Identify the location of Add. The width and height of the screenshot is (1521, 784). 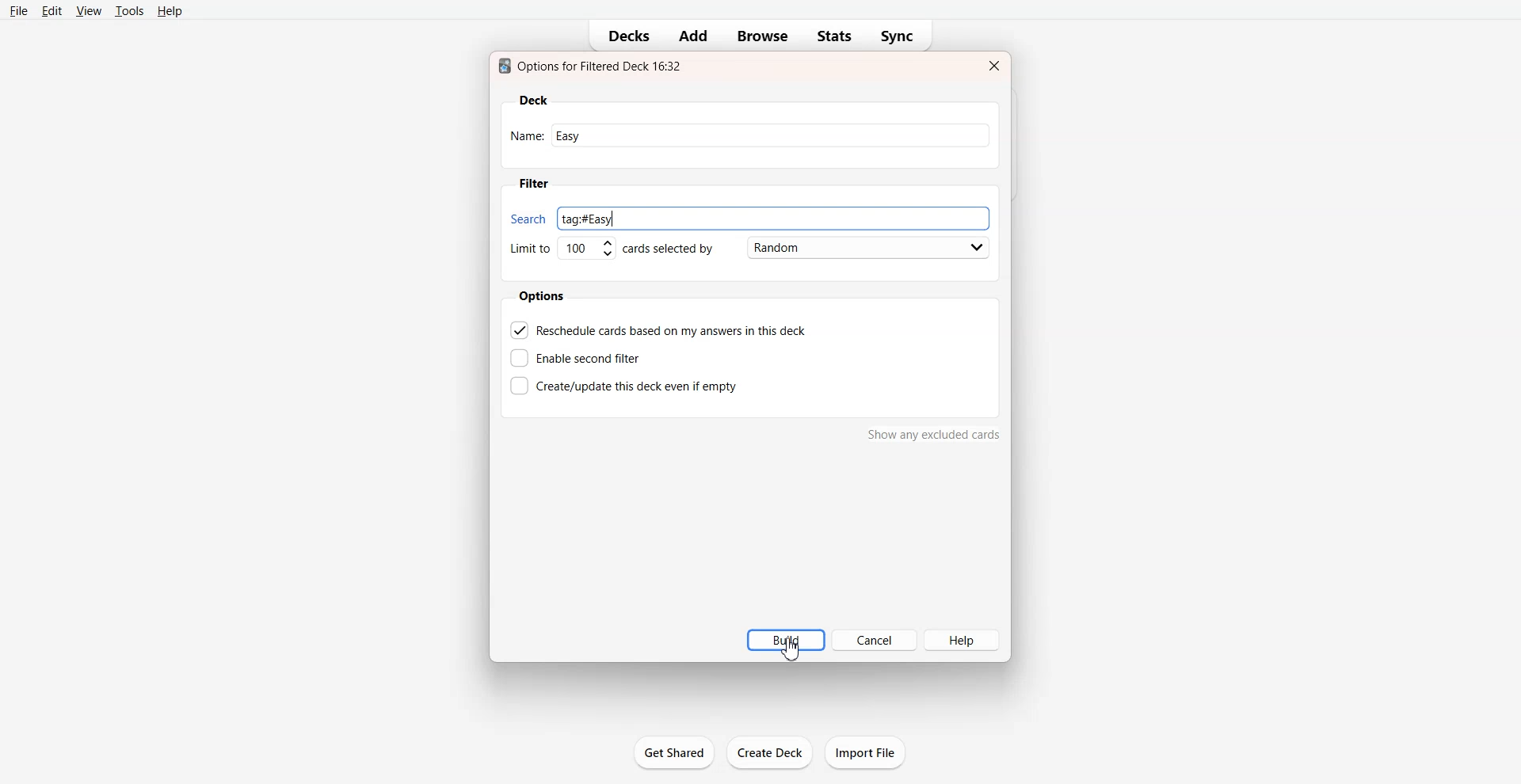
(692, 36).